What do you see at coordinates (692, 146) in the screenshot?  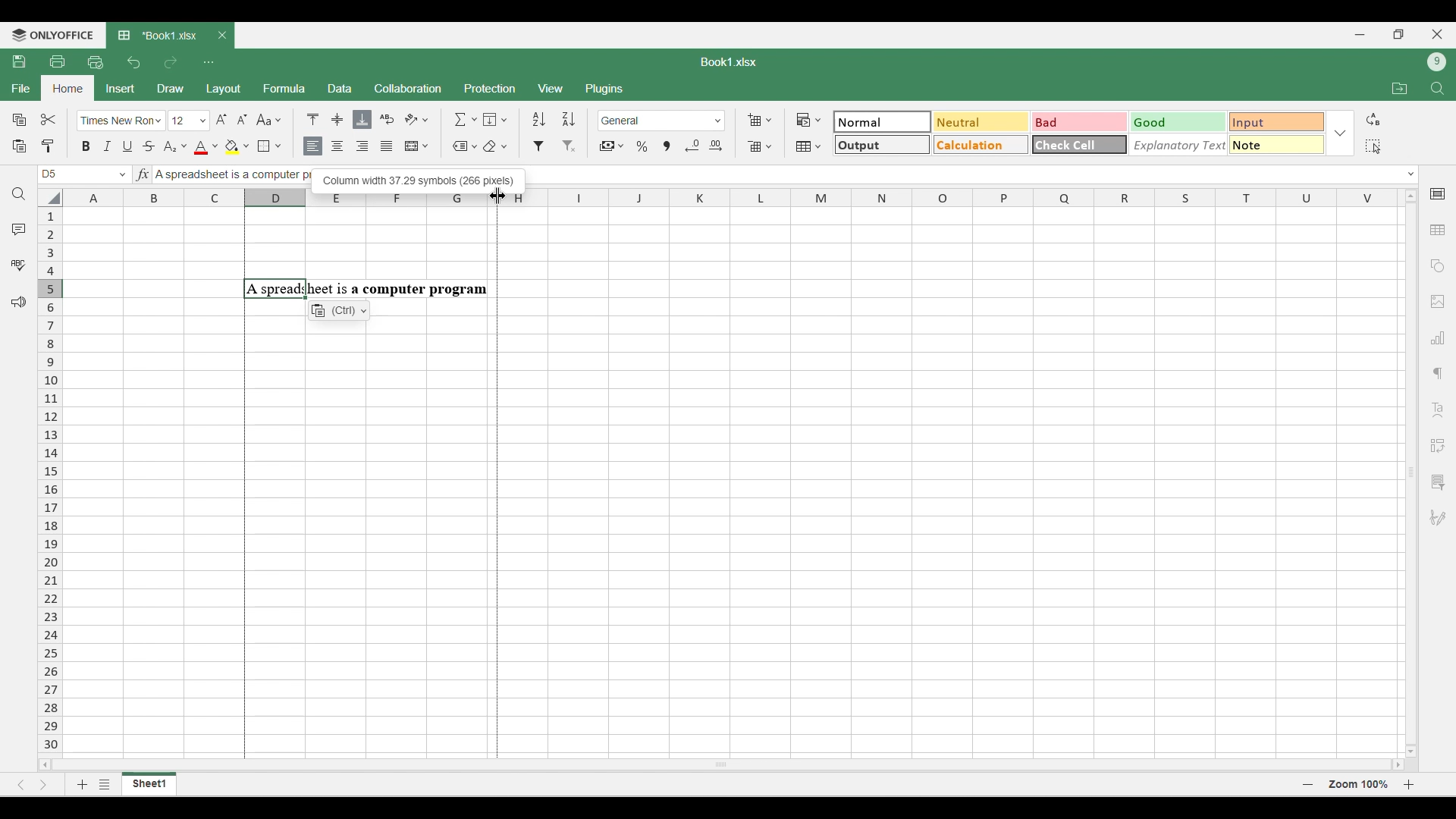 I see `Decrease decimal` at bounding box center [692, 146].